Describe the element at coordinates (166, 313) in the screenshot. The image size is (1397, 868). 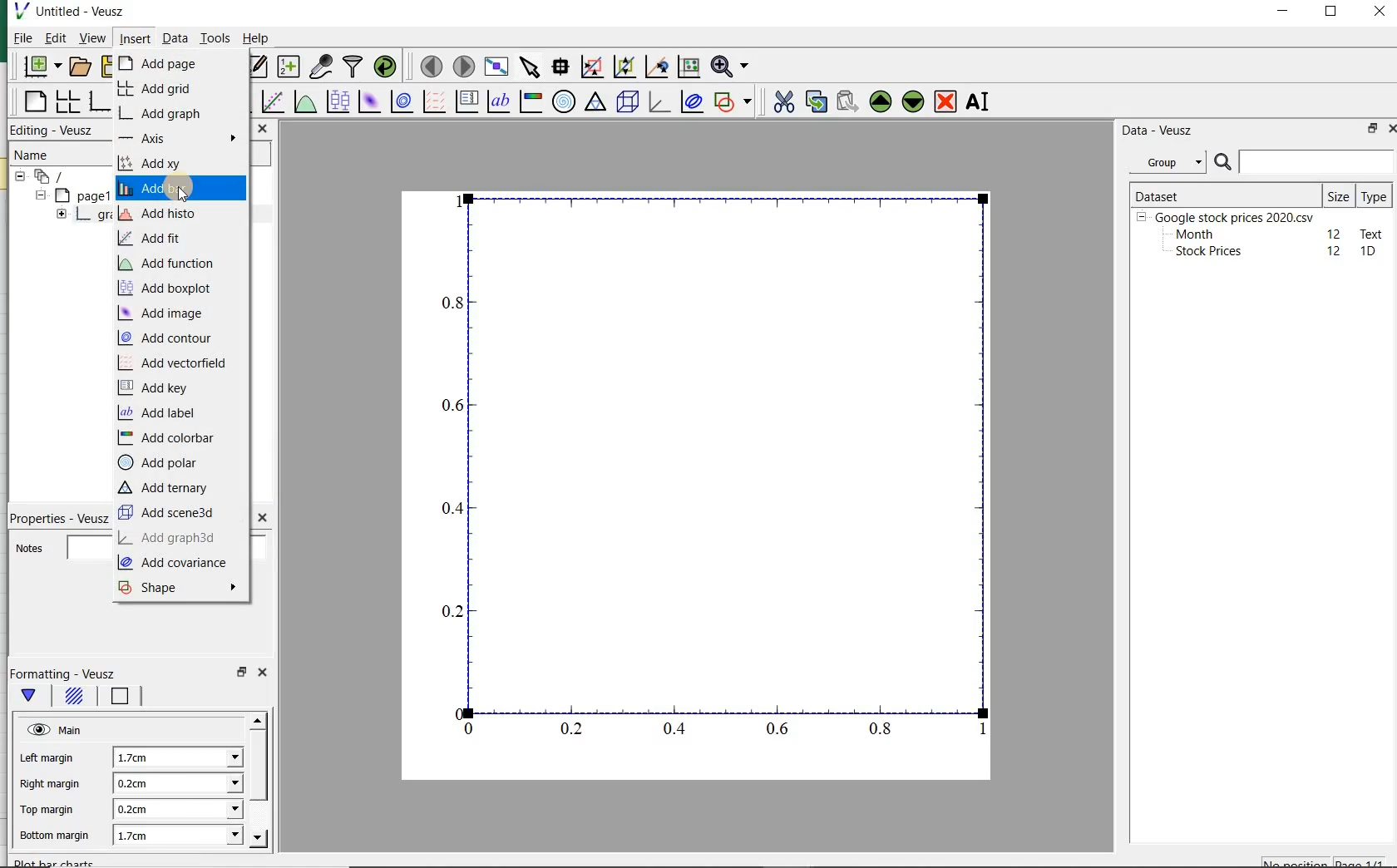
I see `add image` at that location.